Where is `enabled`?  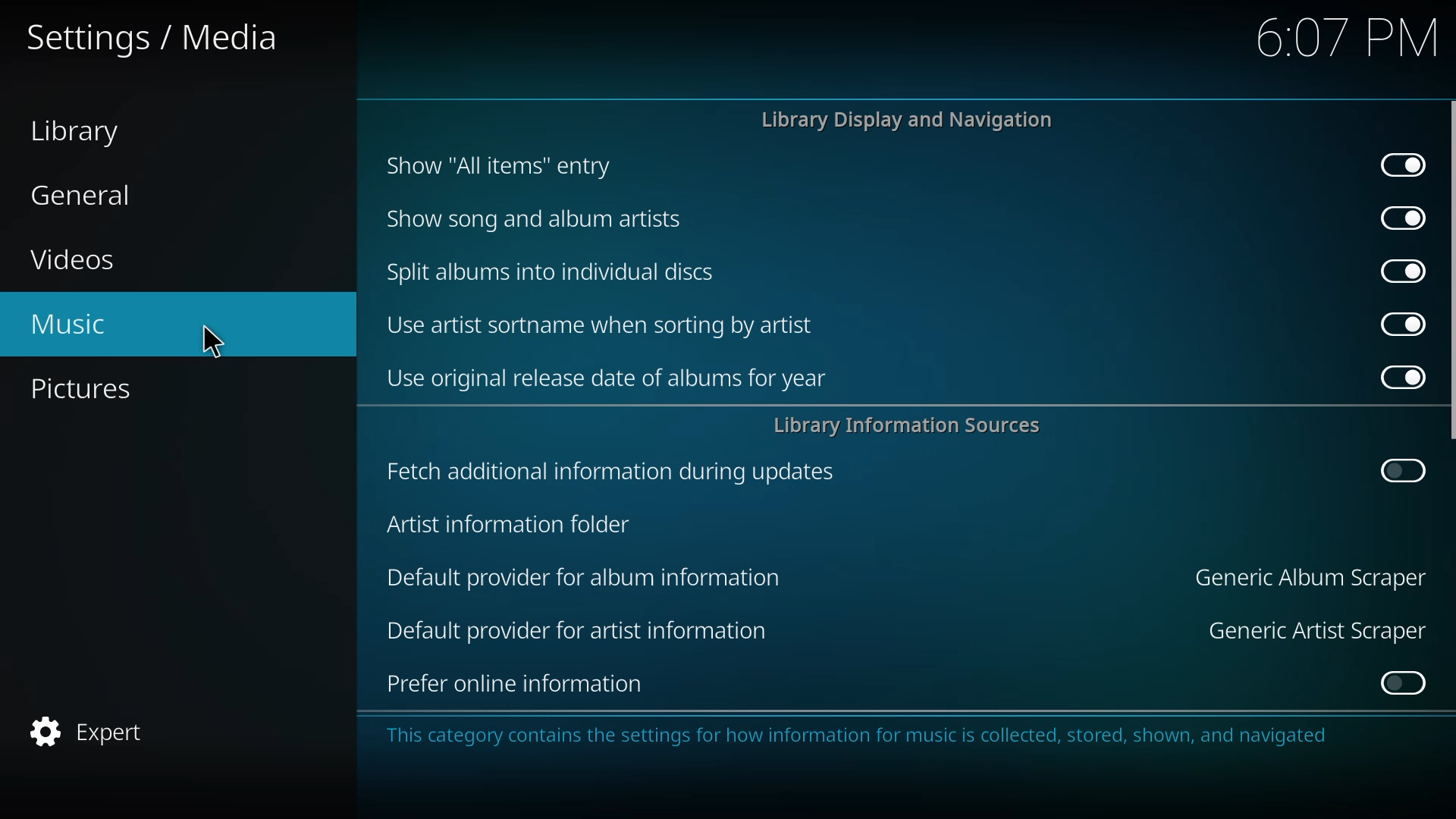
enabled is located at coordinates (1406, 162).